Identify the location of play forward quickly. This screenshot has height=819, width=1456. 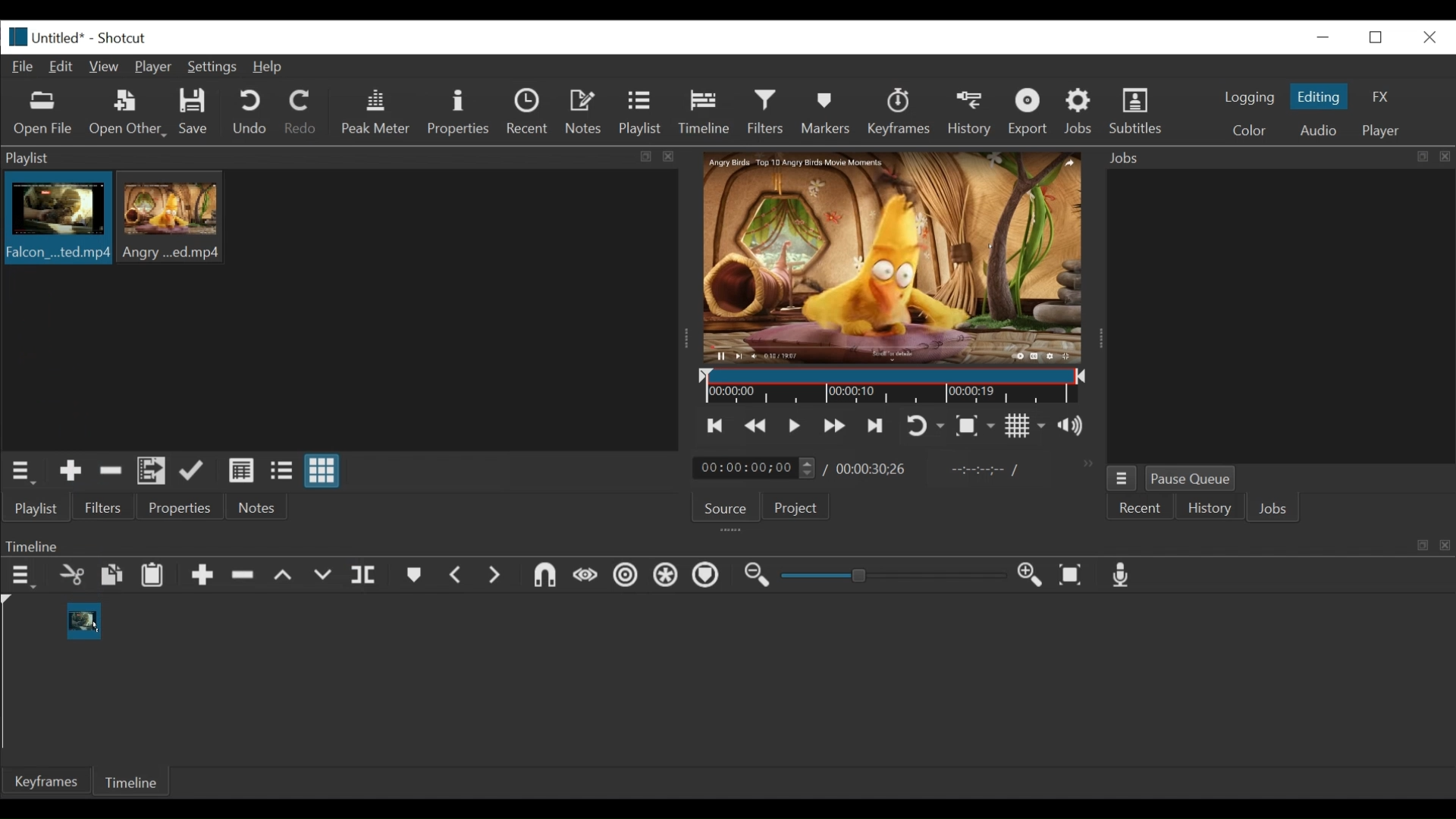
(836, 428).